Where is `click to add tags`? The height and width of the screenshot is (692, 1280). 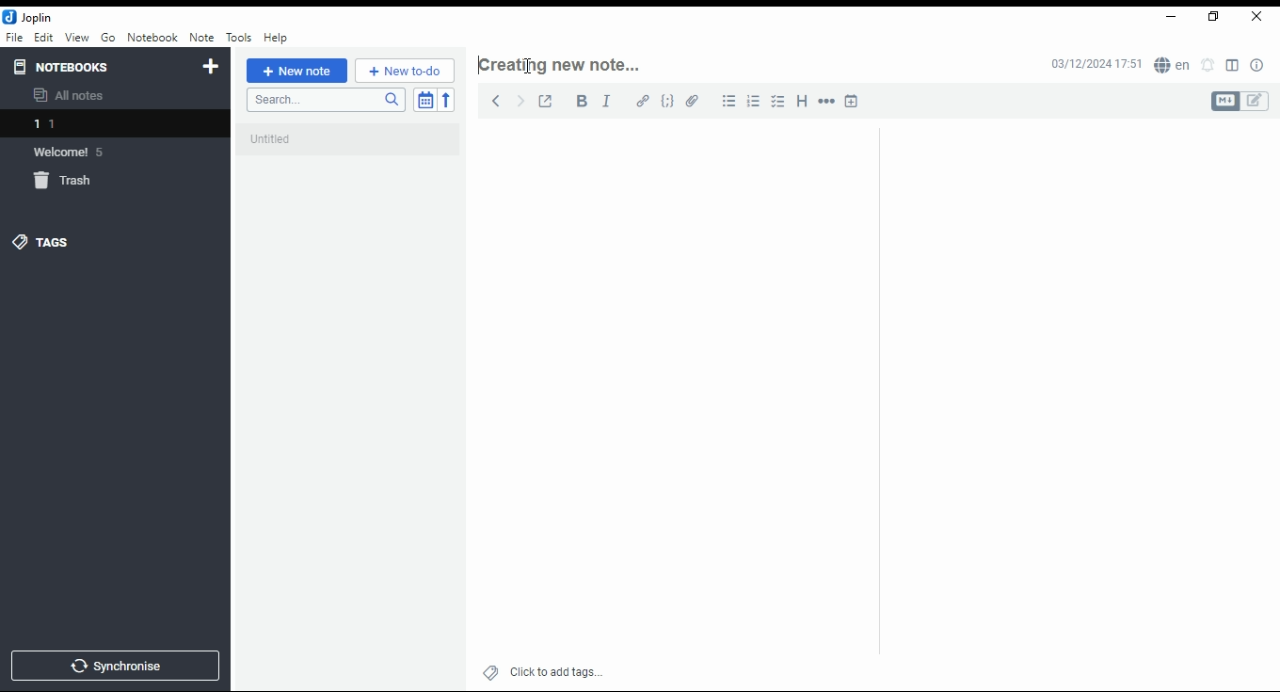 click to add tags is located at coordinates (554, 671).